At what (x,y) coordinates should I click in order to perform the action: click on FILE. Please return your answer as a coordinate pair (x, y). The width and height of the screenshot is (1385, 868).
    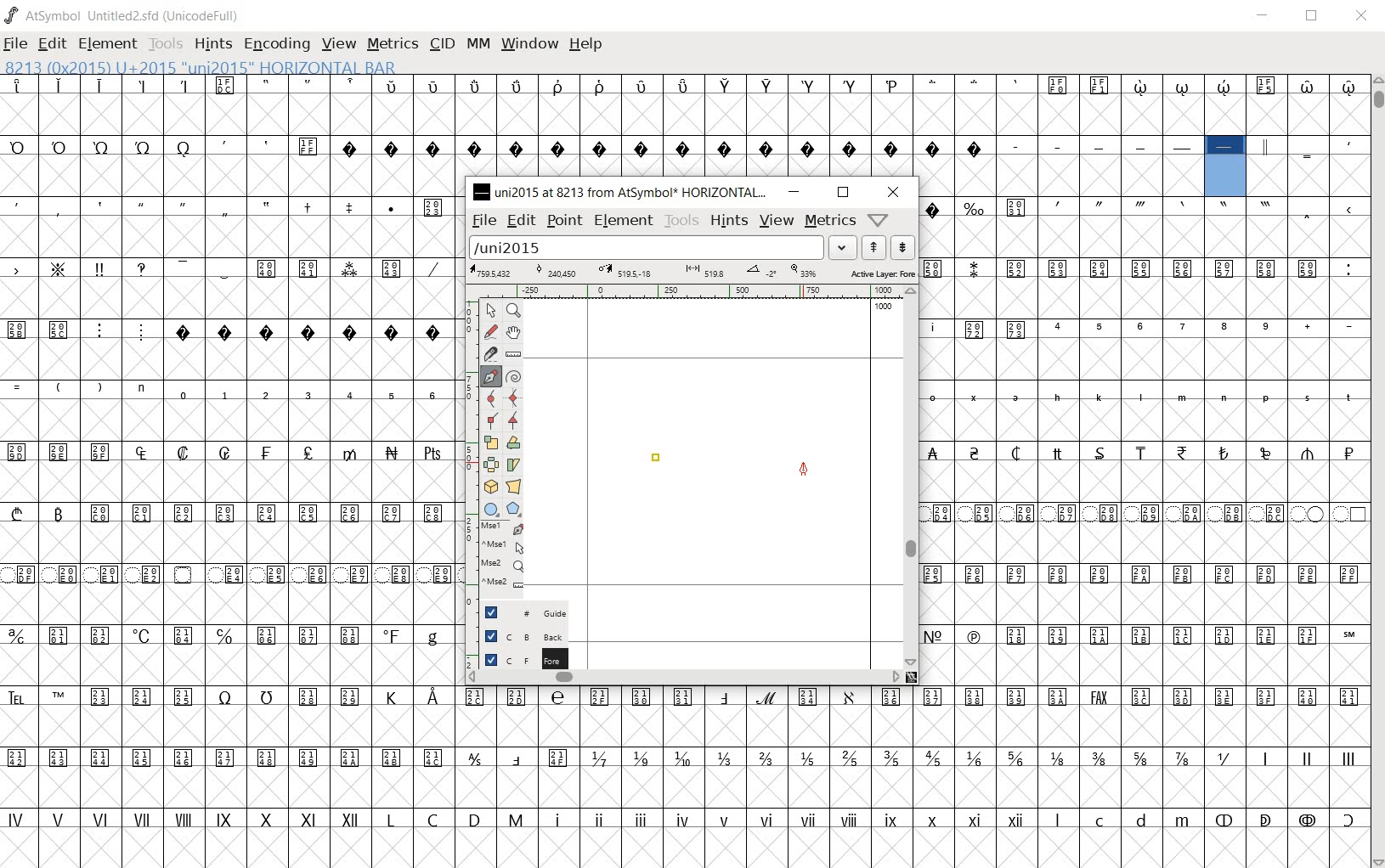
    Looking at the image, I should click on (18, 42).